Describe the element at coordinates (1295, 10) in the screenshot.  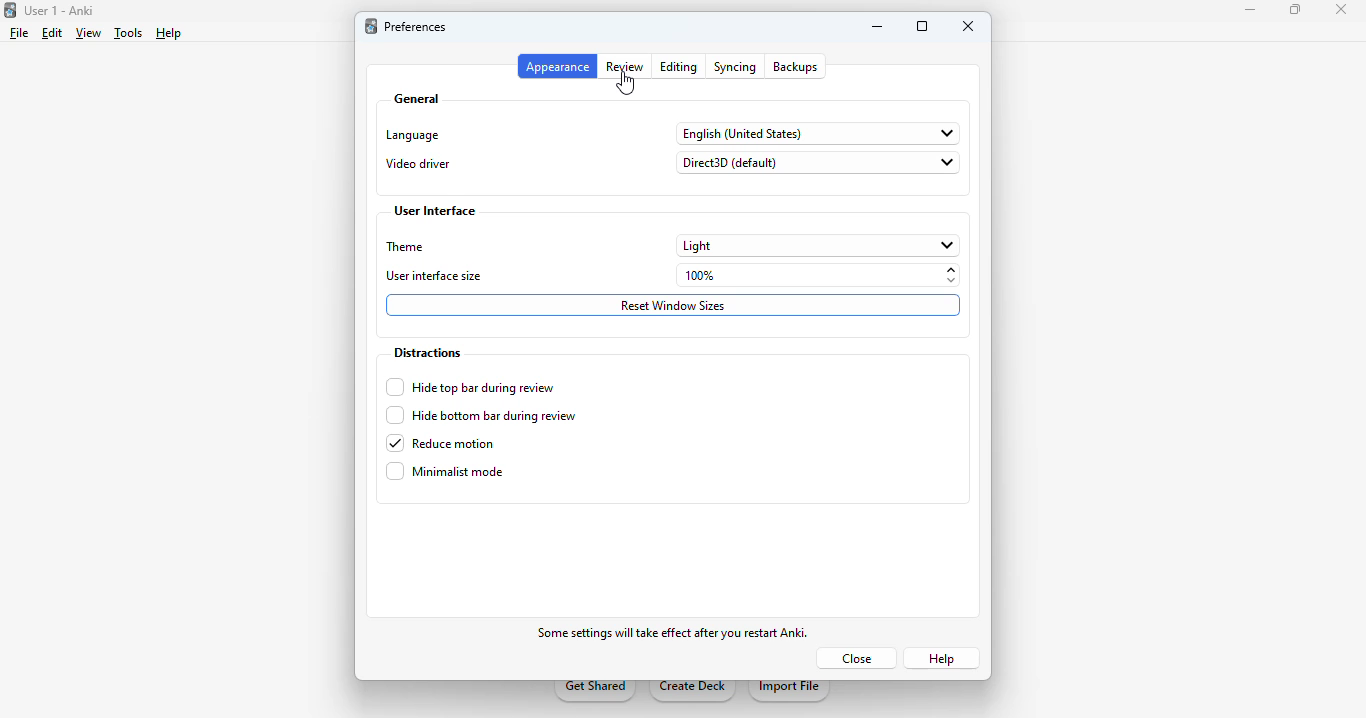
I see `maximize` at that location.